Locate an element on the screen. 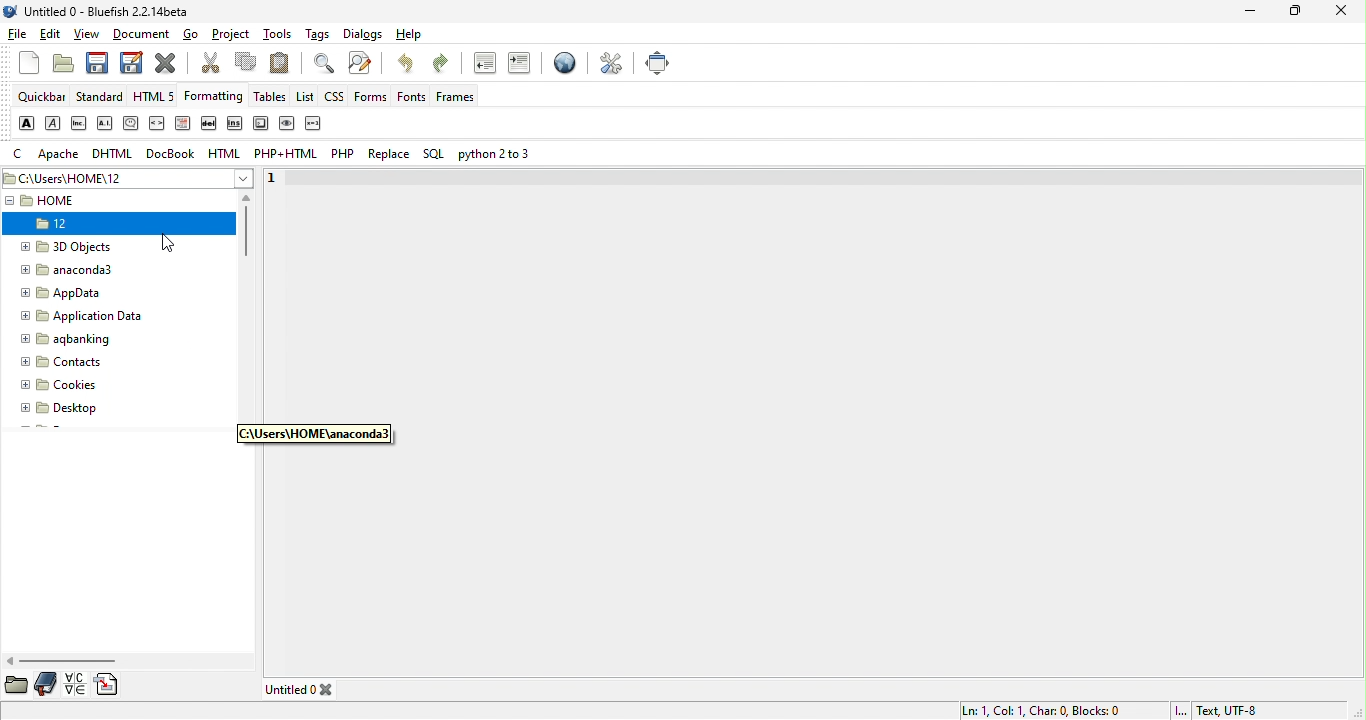 The height and width of the screenshot is (720, 1366). bookmarks is located at coordinates (48, 684).